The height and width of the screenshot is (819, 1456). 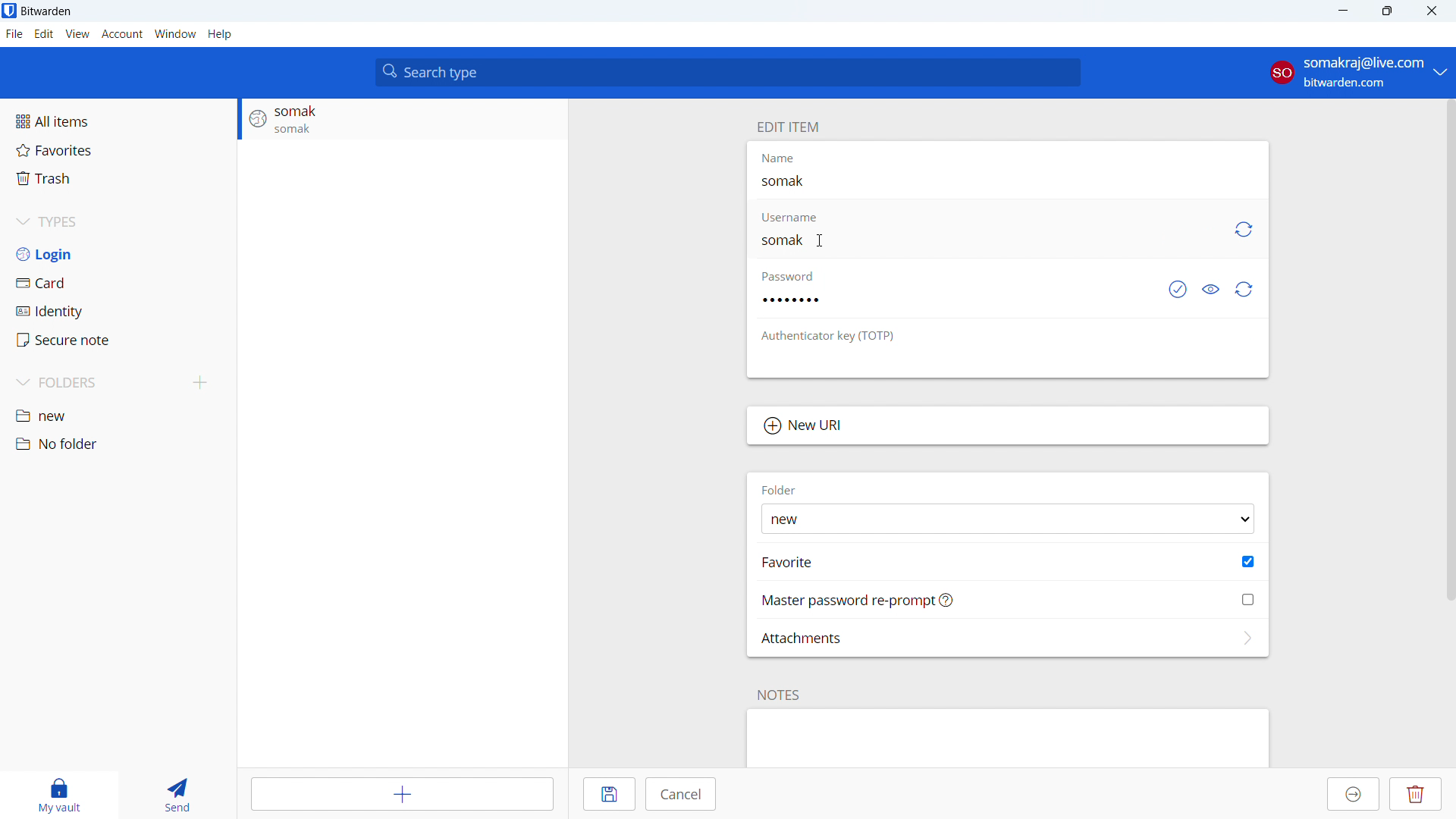 What do you see at coordinates (795, 215) in the screenshot?
I see `username` at bounding box center [795, 215].